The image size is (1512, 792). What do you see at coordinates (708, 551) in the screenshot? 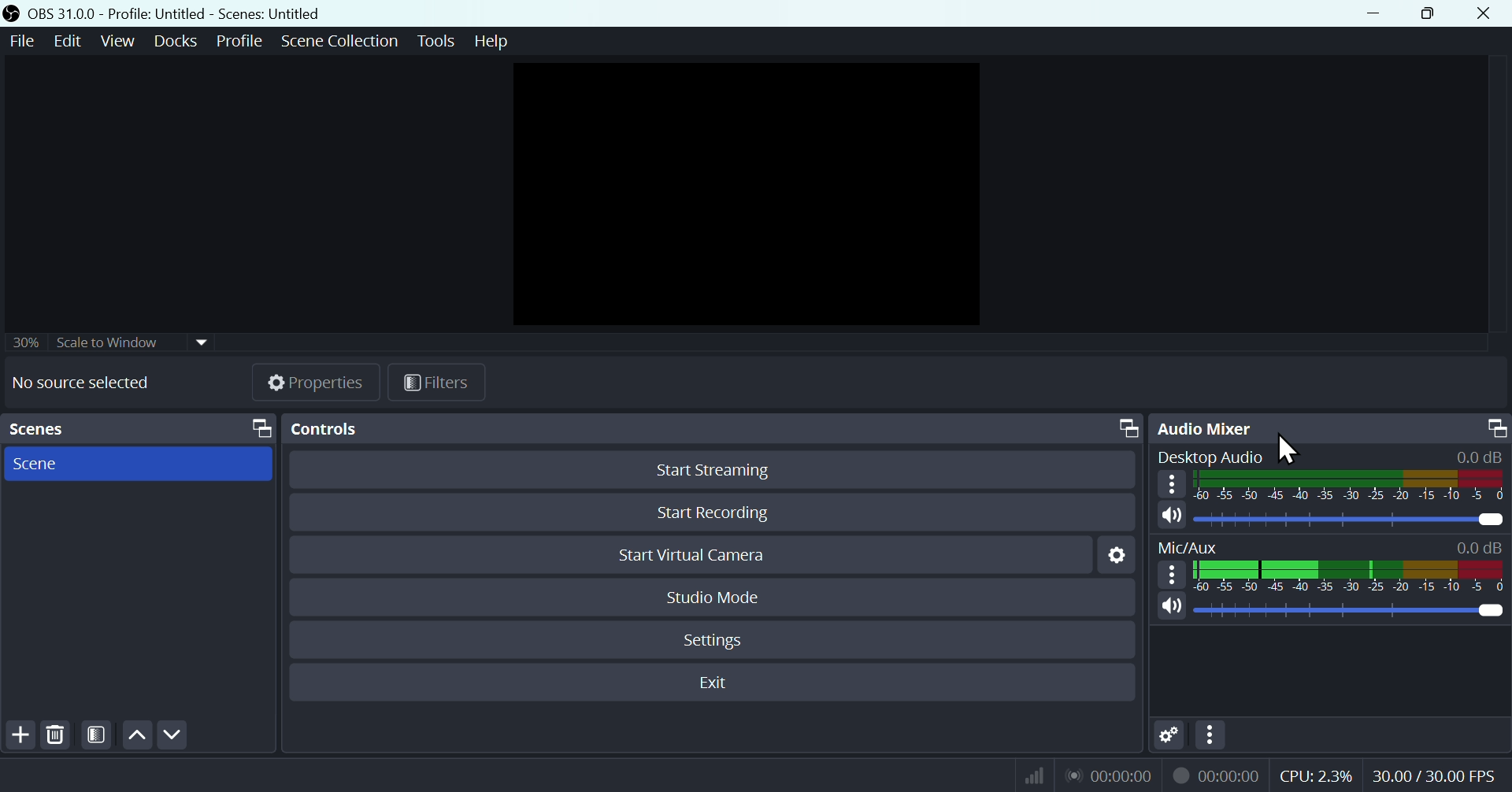
I see `Start virtual camera` at bounding box center [708, 551].